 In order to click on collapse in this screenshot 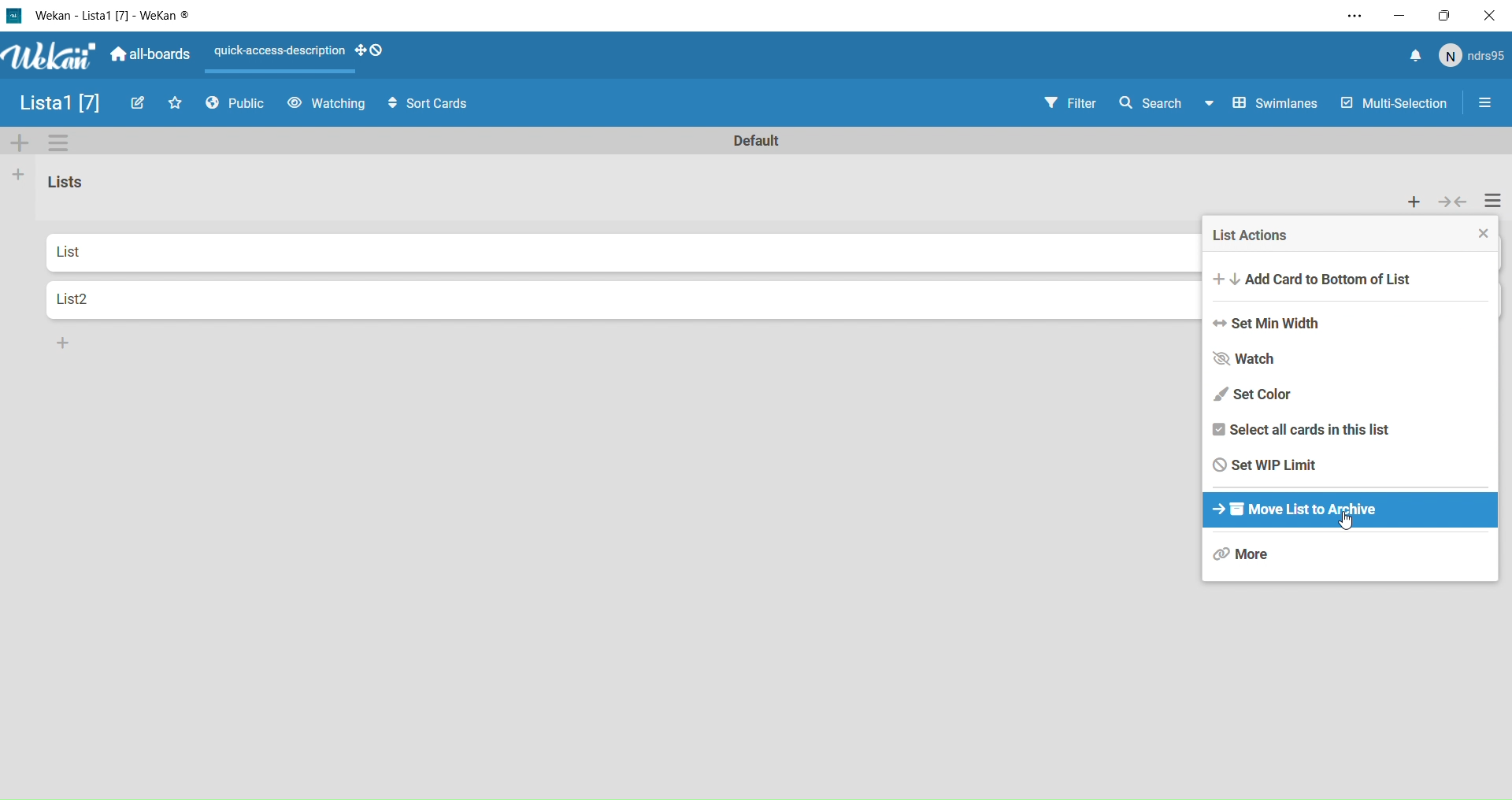, I will do `click(1454, 202)`.